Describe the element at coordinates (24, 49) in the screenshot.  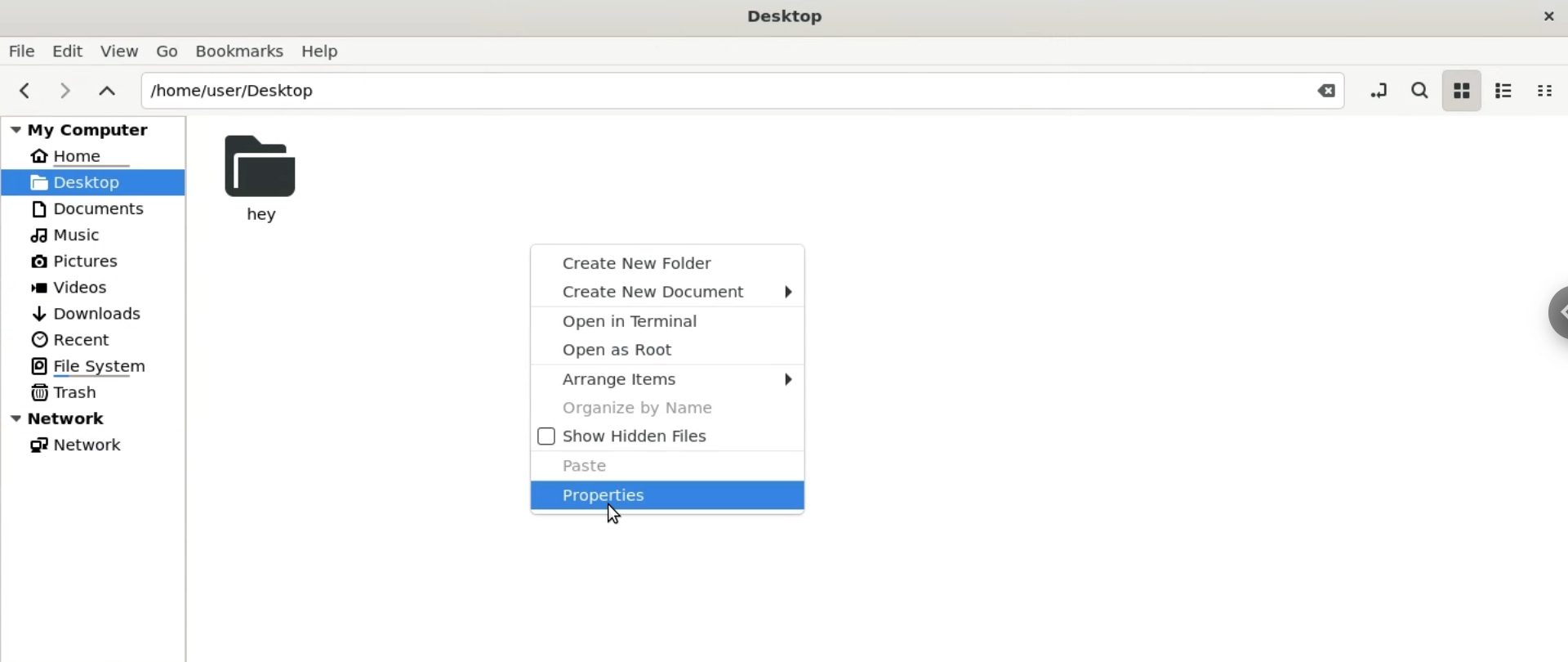
I see `file` at that location.